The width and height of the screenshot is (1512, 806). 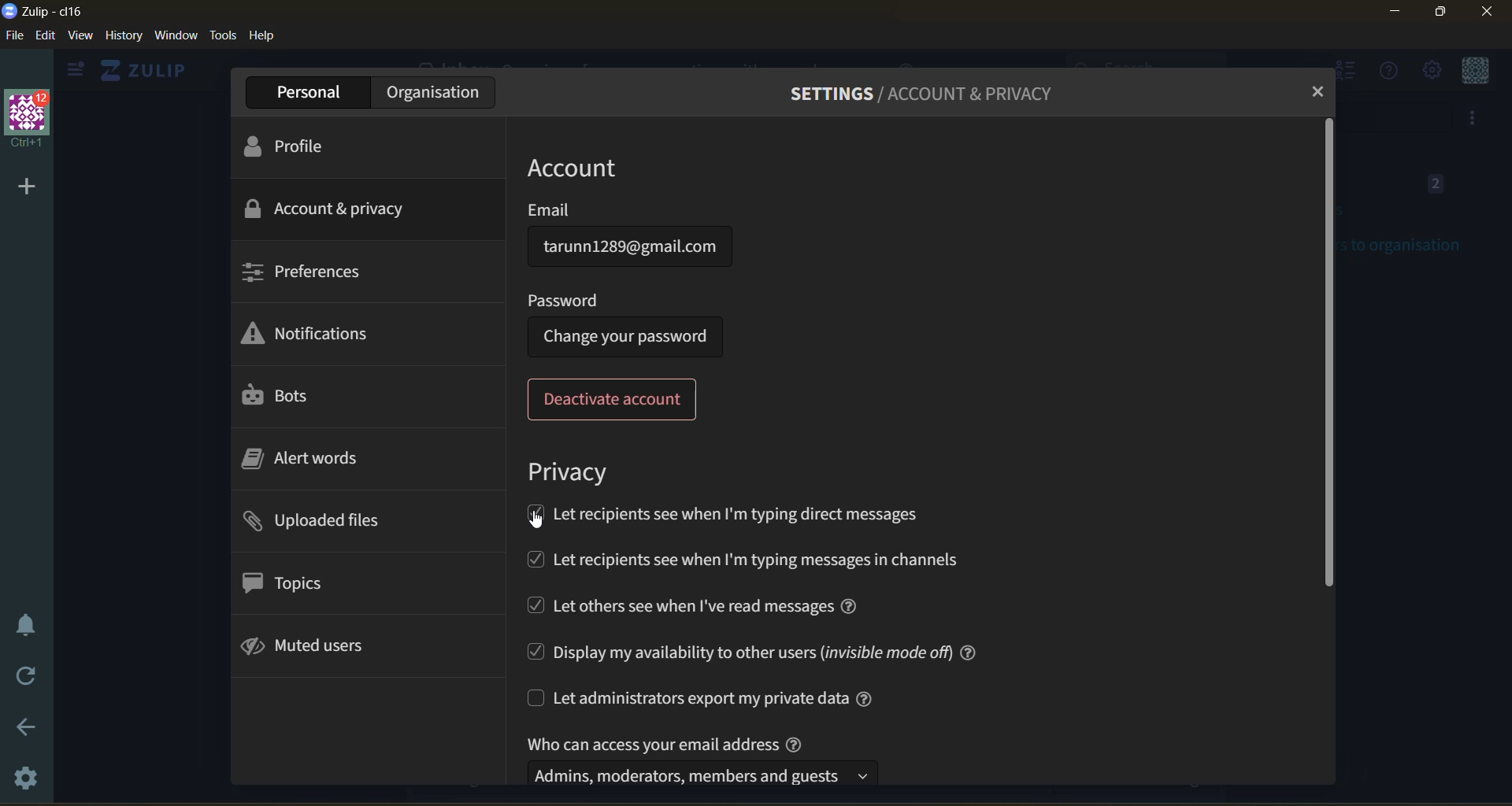 What do you see at coordinates (319, 462) in the screenshot?
I see `alert words` at bounding box center [319, 462].